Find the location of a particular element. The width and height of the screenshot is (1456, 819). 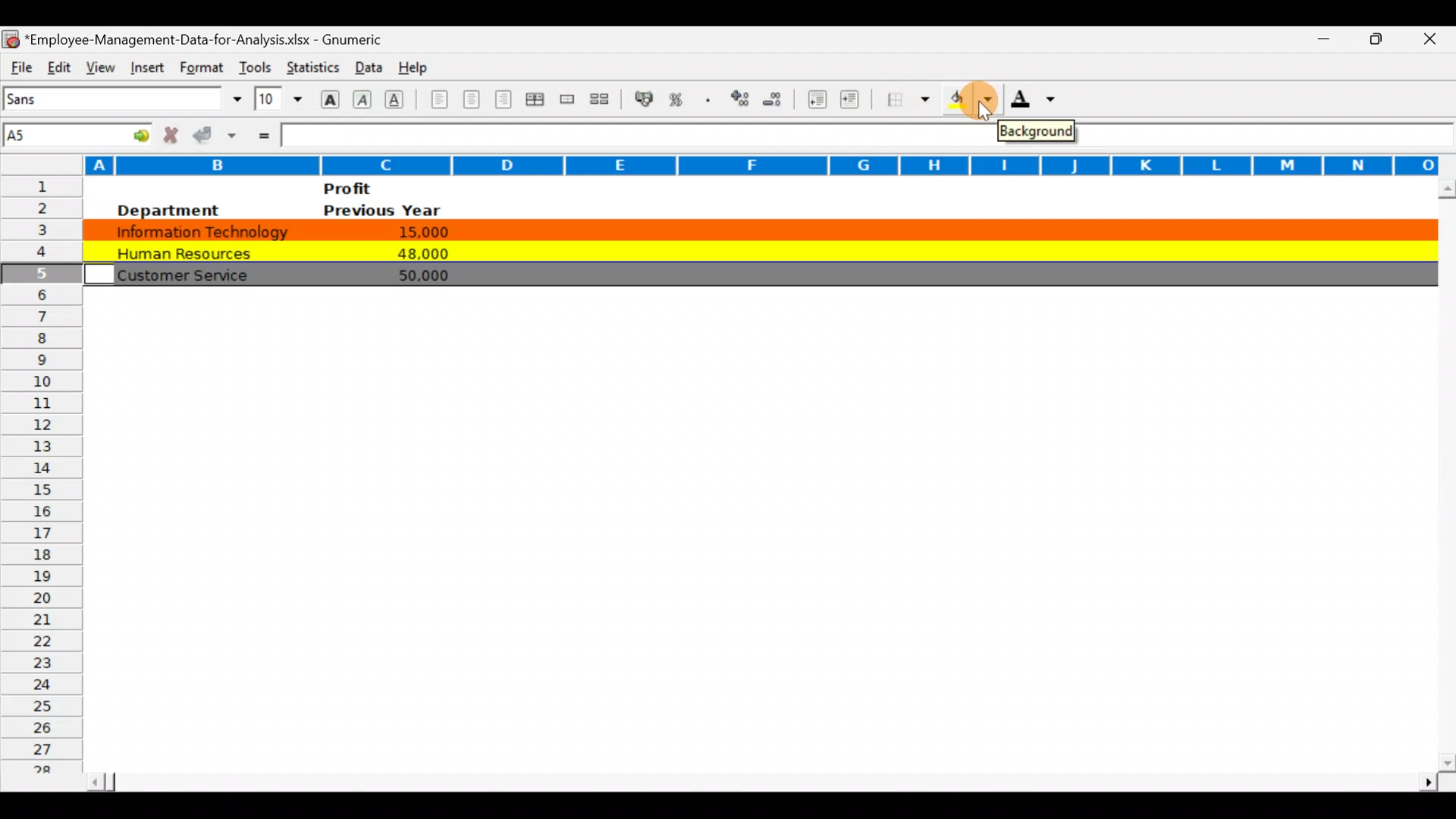

Underline is located at coordinates (399, 99).